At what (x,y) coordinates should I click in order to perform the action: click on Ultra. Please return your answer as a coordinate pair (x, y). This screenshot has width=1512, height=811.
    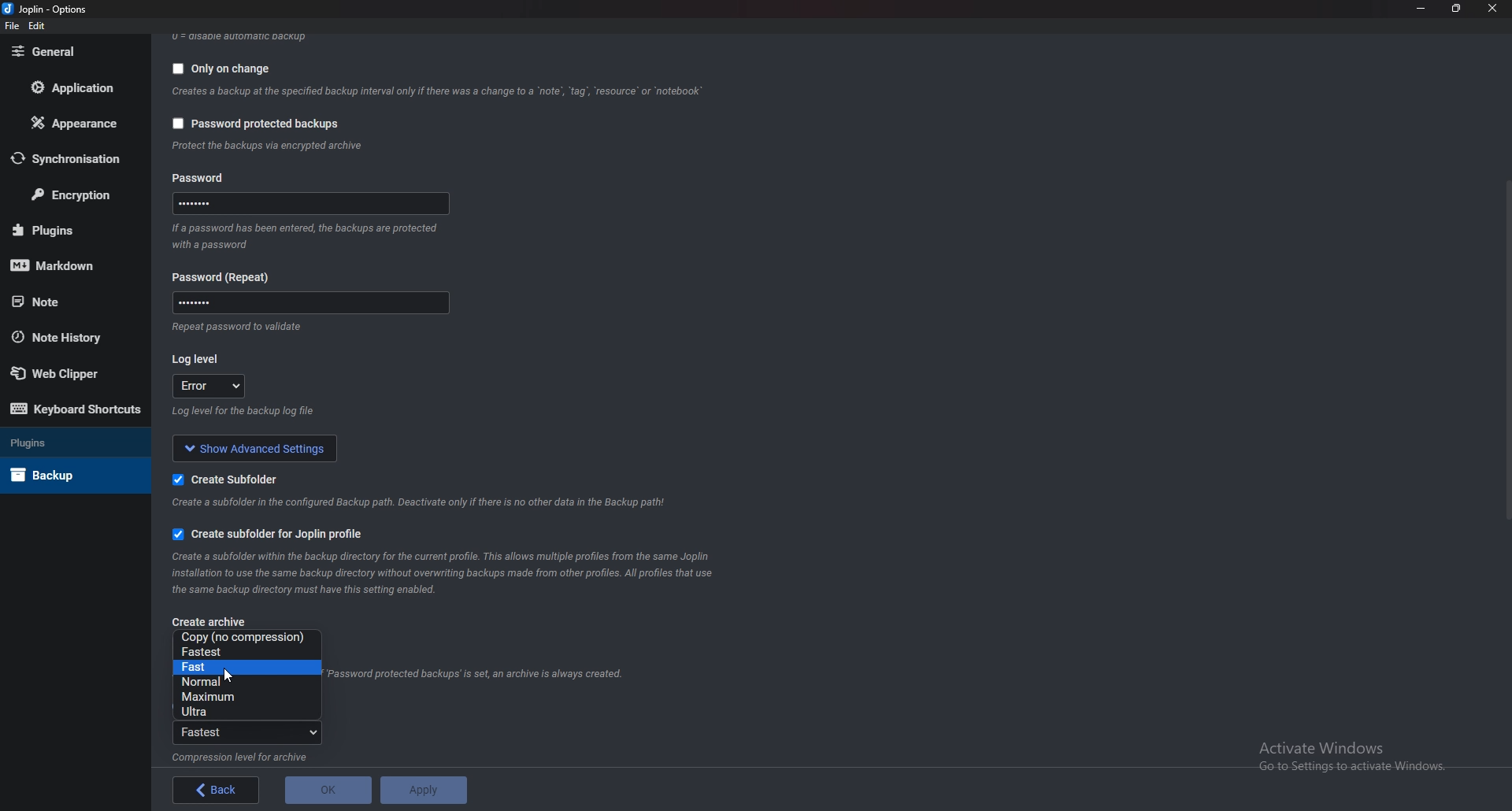
    Looking at the image, I should click on (236, 711).